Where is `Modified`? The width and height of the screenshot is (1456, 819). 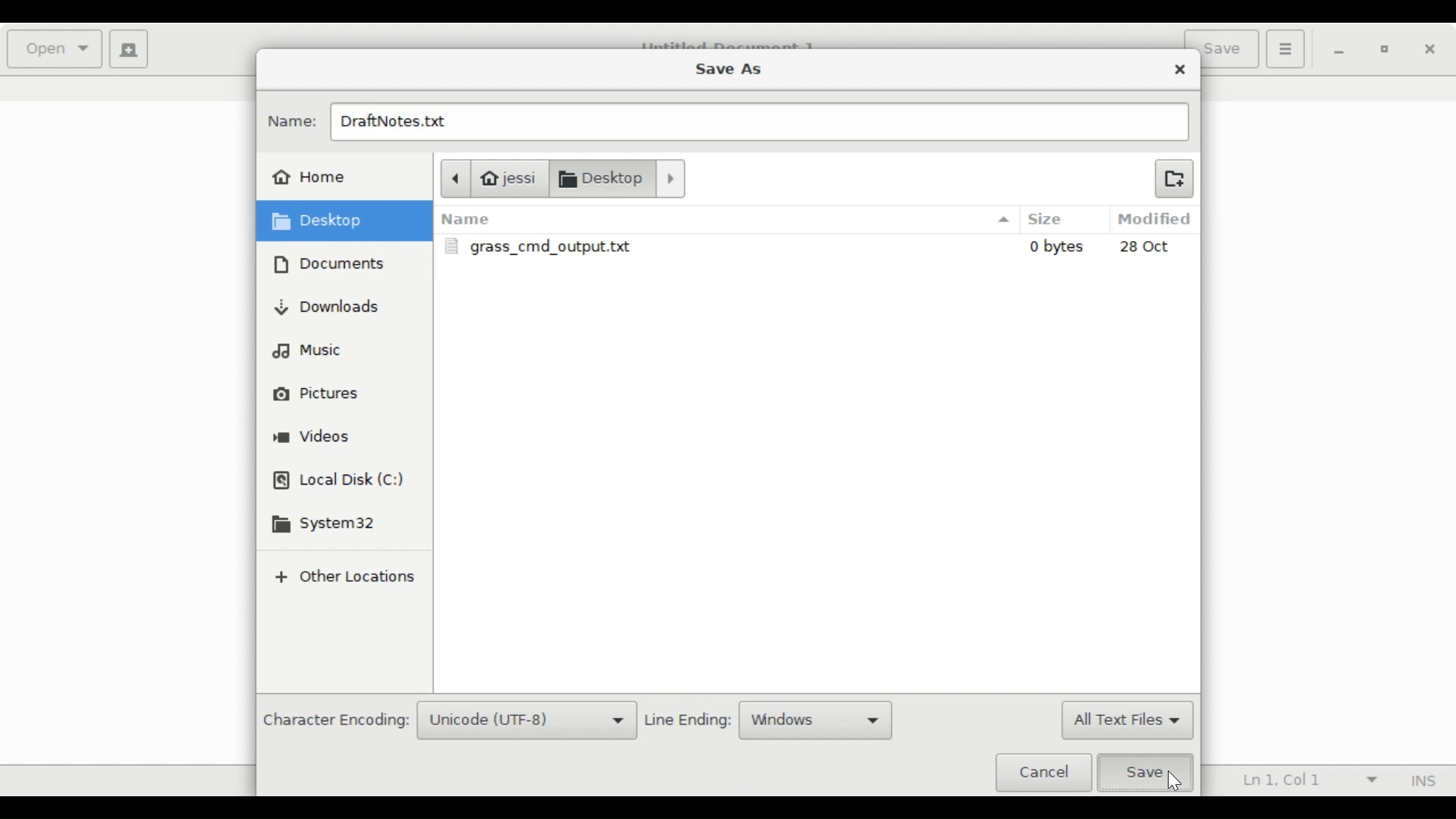
Modified is located at coordinates (1156, 219).